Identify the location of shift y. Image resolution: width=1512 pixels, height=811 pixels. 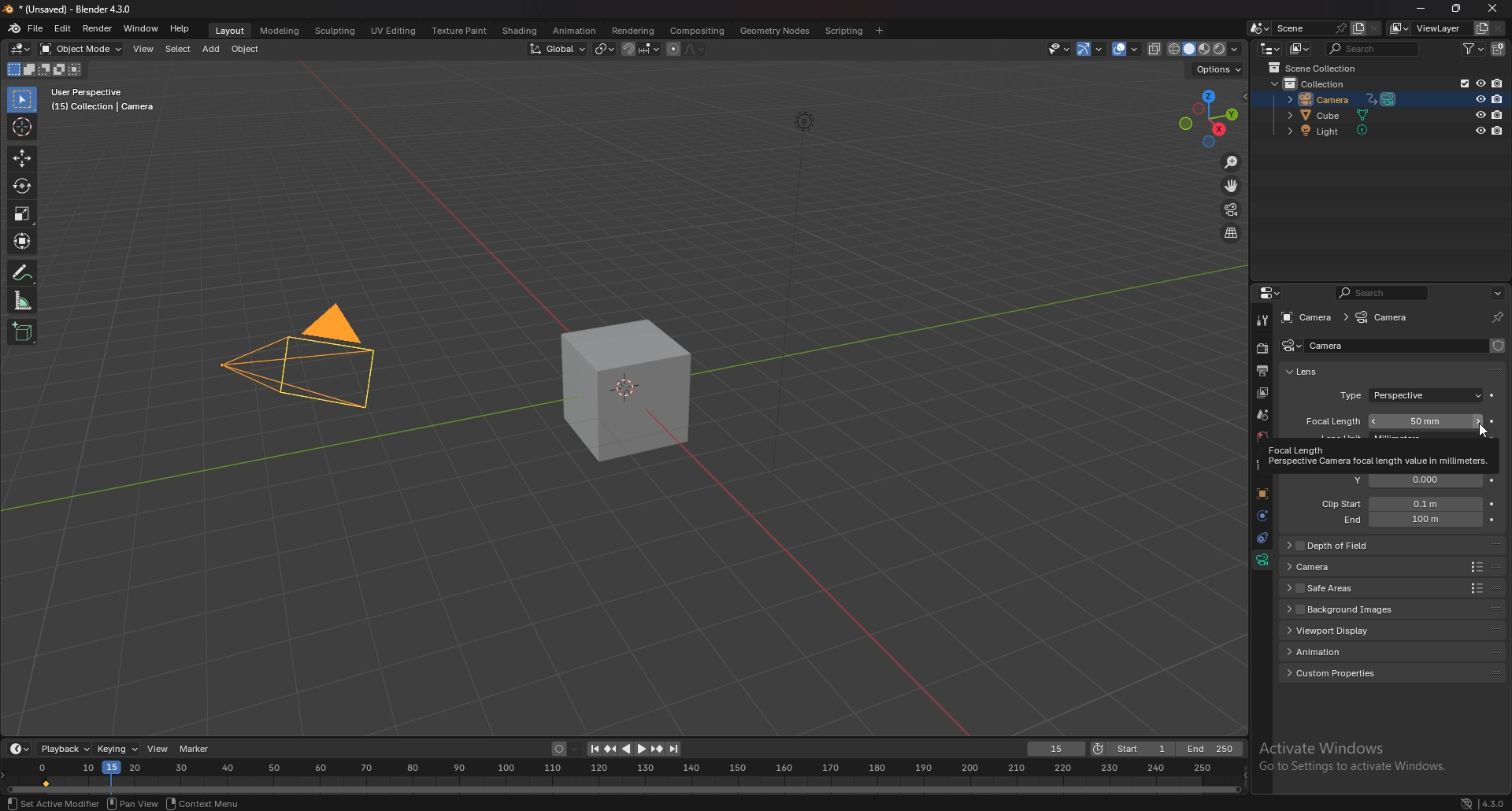
(1402, 480).